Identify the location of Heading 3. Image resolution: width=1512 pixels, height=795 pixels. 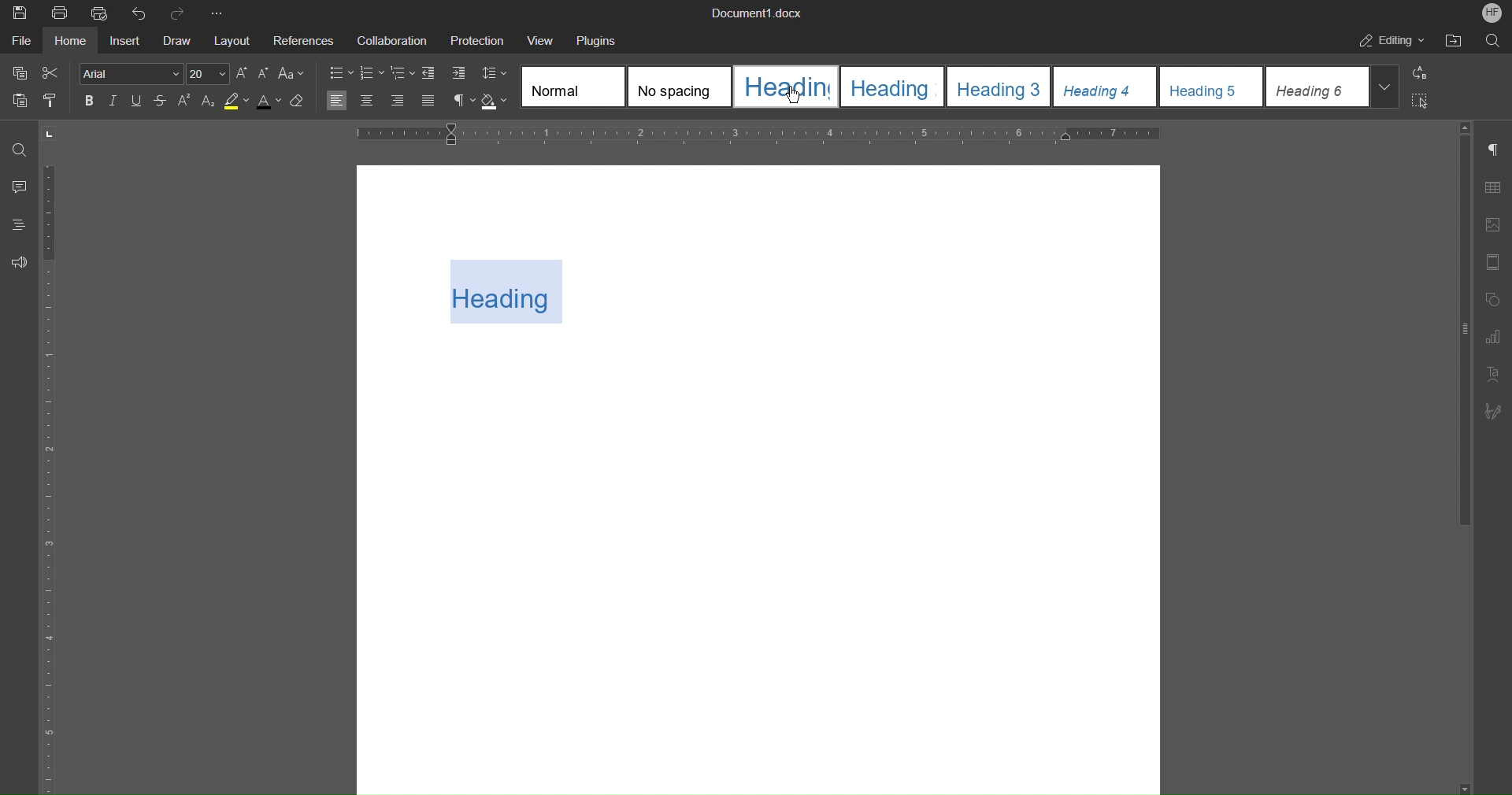
(1003, 87).